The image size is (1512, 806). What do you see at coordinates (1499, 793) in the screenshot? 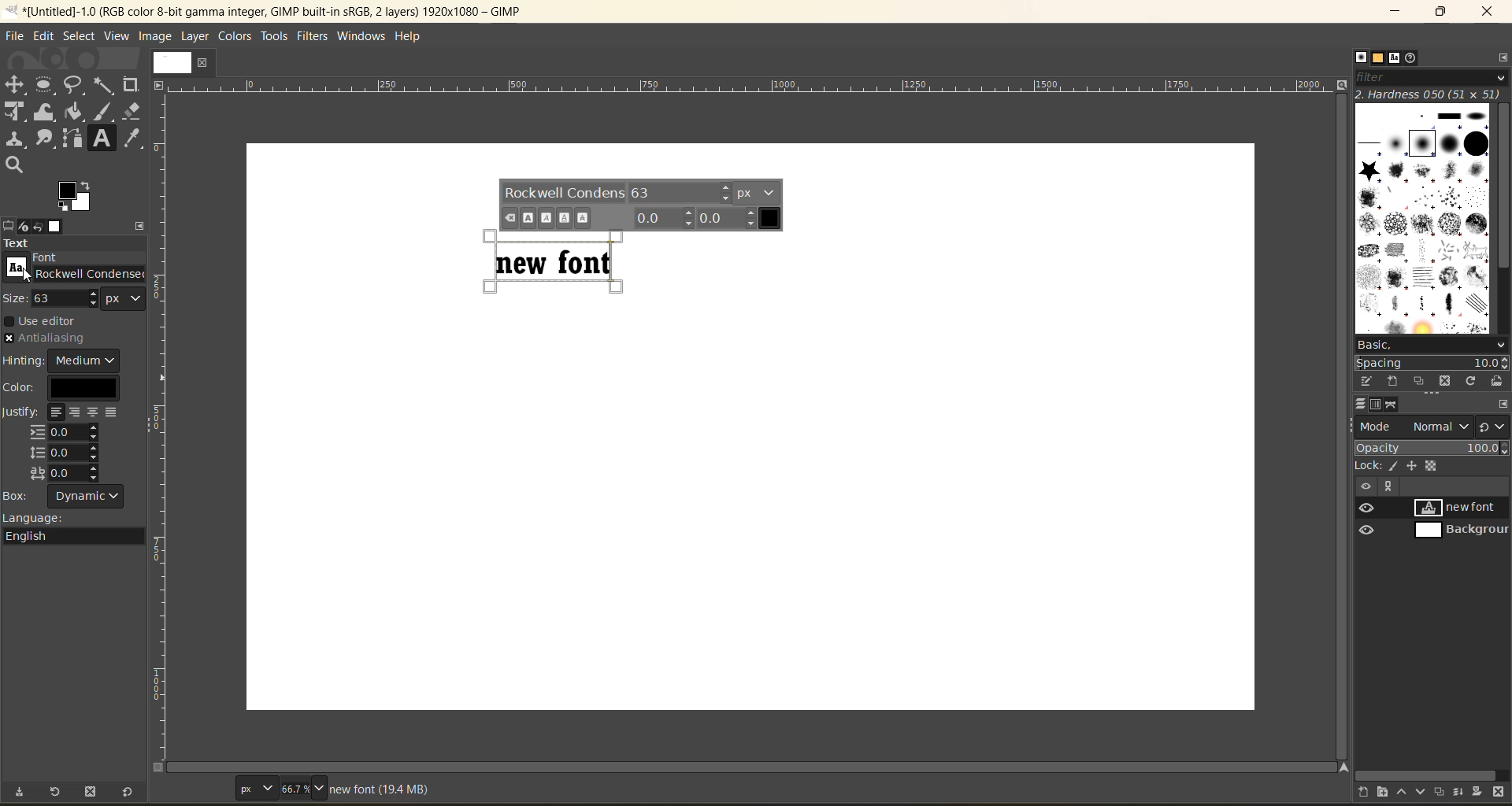
I see `delete this layer` at bounding box center [1499, 793].